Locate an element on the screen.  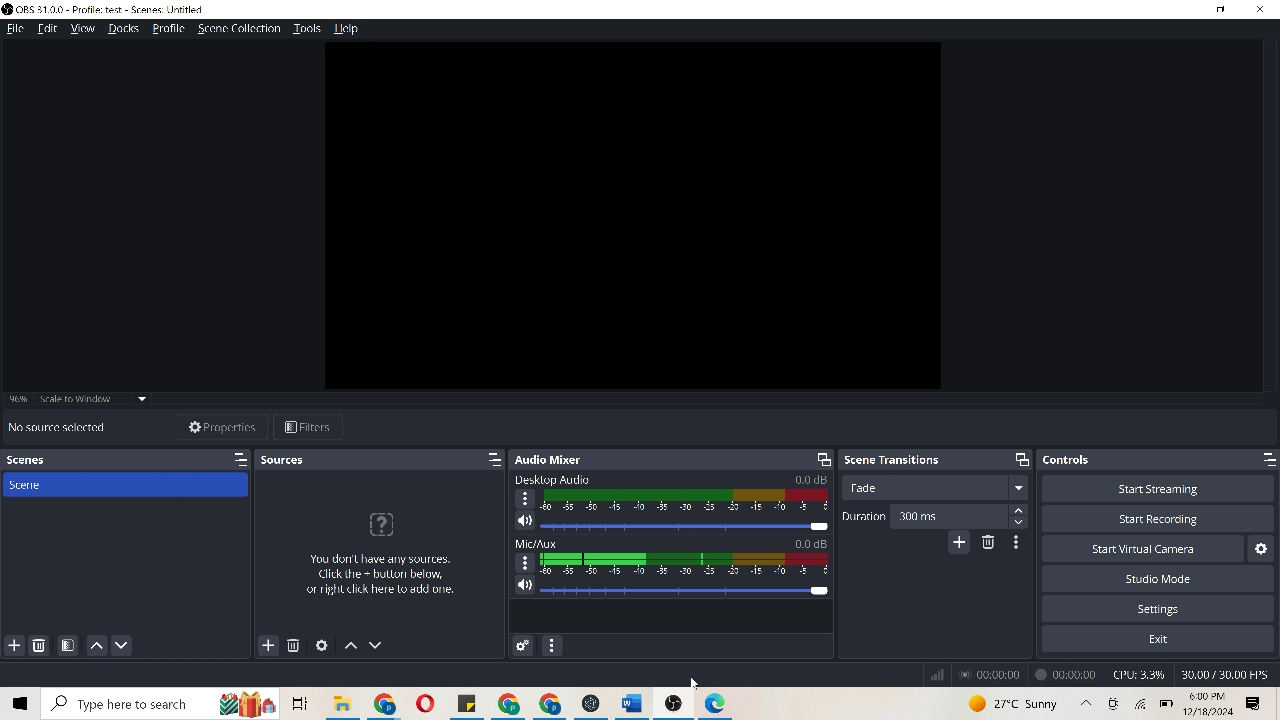
file is located at coordinates (470, 705).